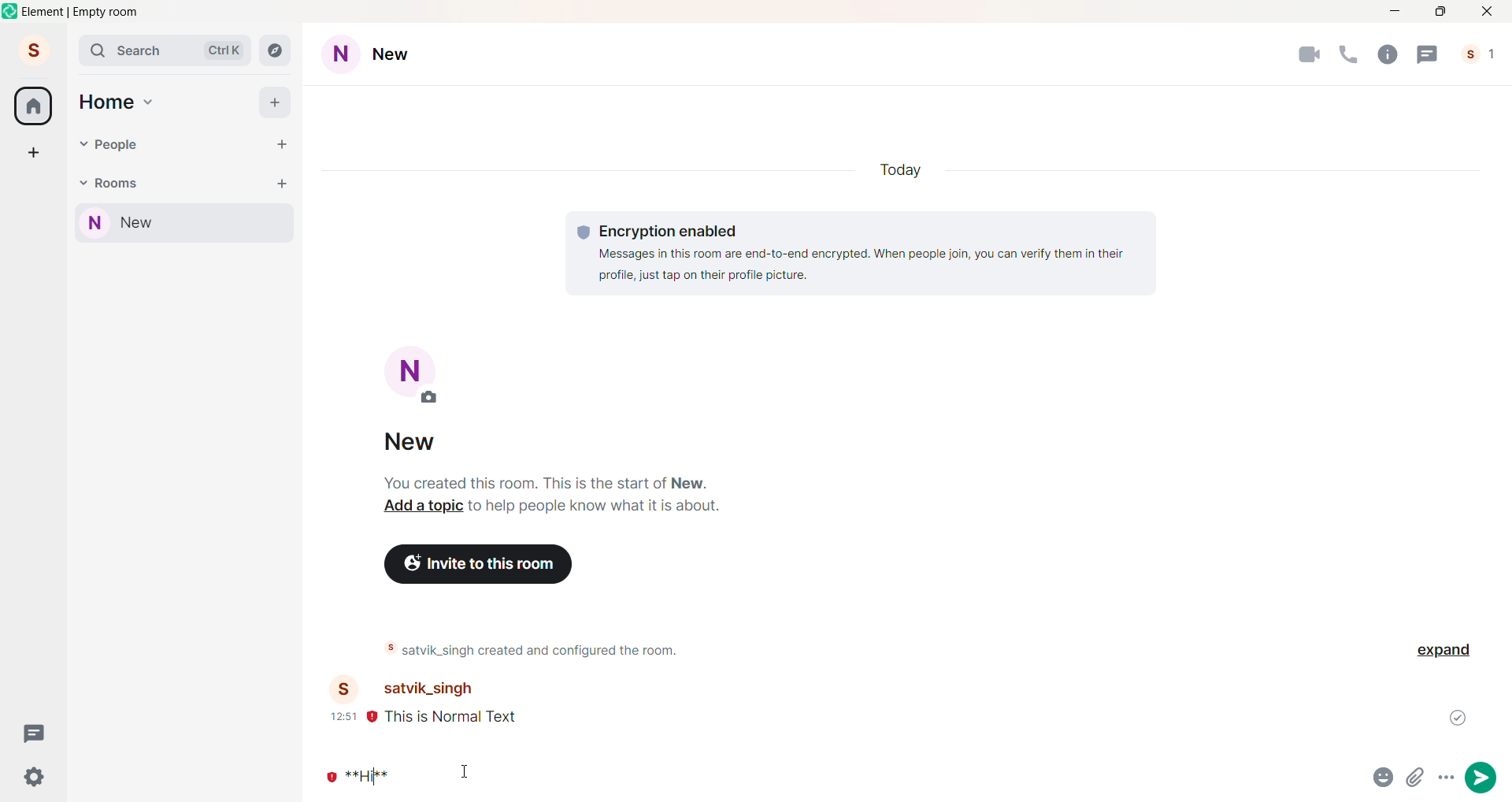 This screenshot has height=802, width=1512. I want to click on Video Call, so click(1309, 56).